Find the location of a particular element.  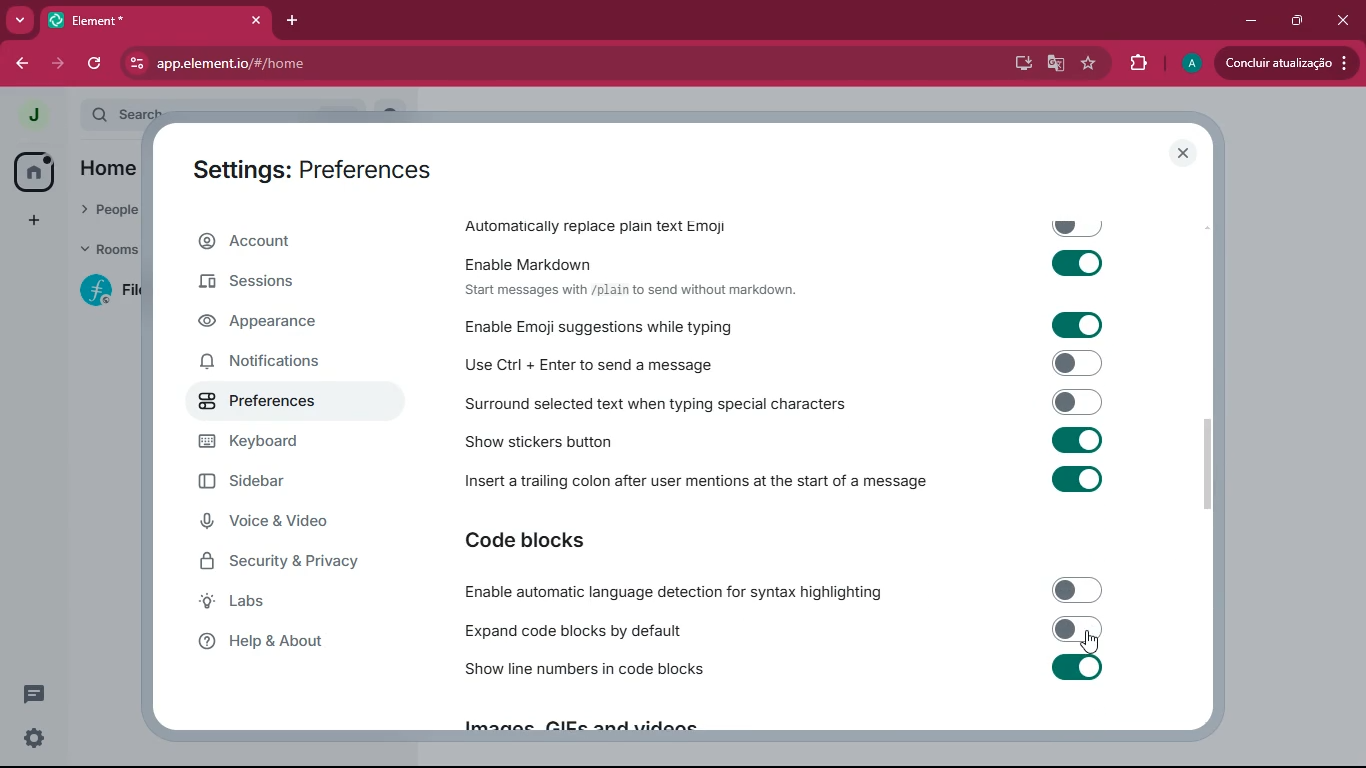

conduir atualizacao is located at coordinates (1285, 63).